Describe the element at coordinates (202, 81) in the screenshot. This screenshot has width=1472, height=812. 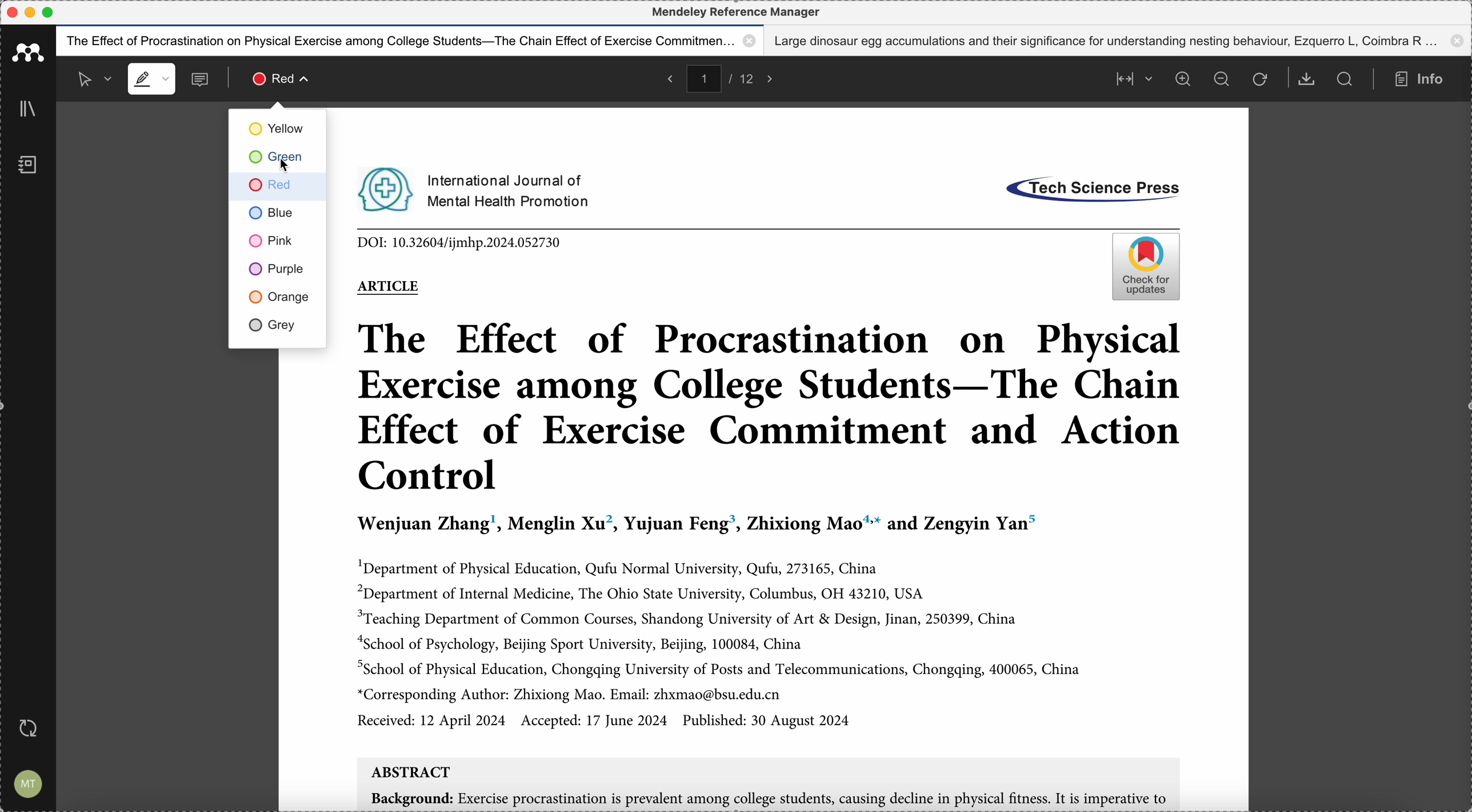
I see `comments` at that location.